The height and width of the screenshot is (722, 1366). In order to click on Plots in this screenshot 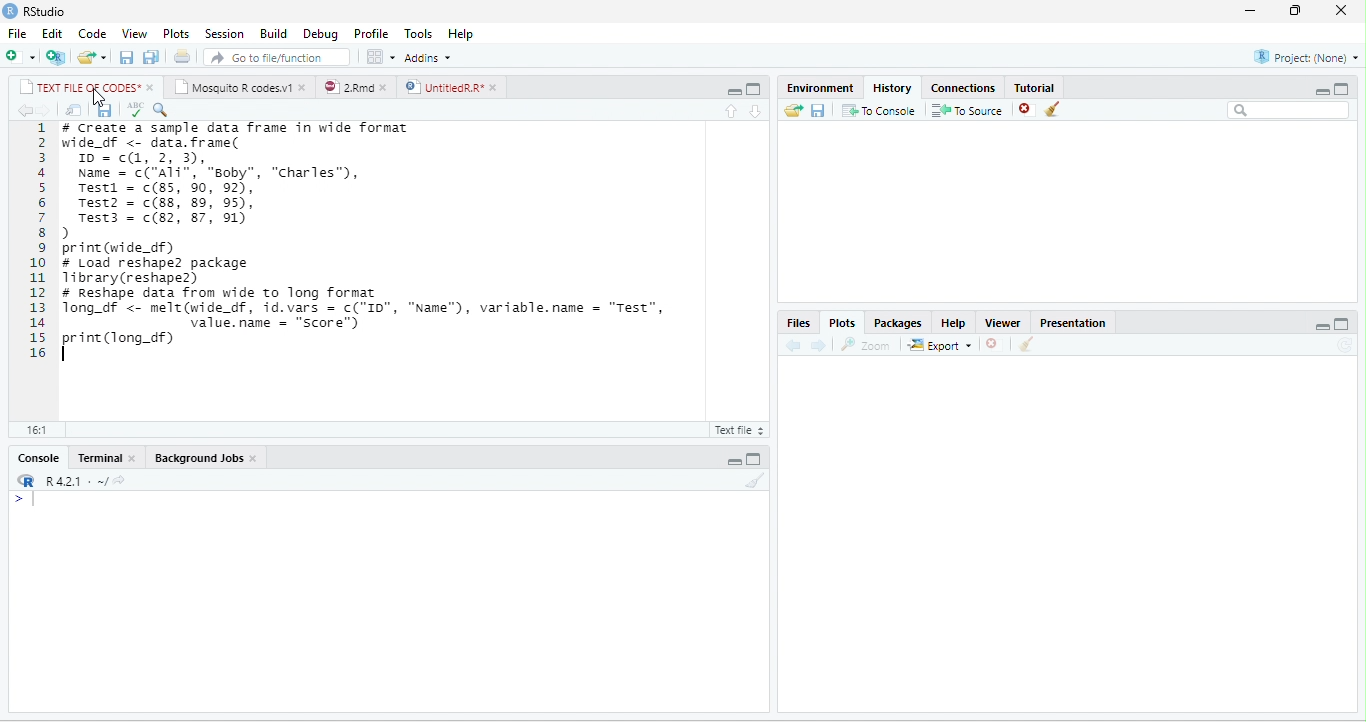, I will do `click(177, 34)`.